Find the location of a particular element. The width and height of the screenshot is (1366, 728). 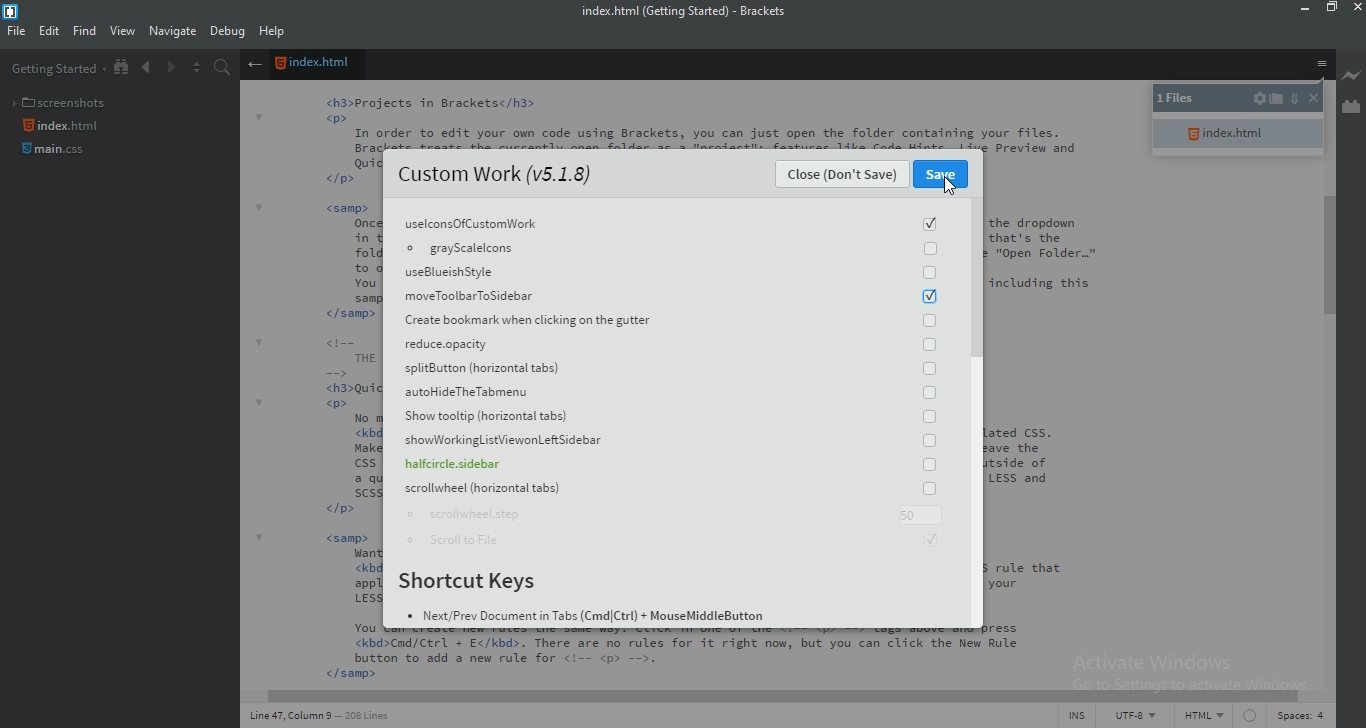

Shortcut Keys is located at coordinates (475, 583).